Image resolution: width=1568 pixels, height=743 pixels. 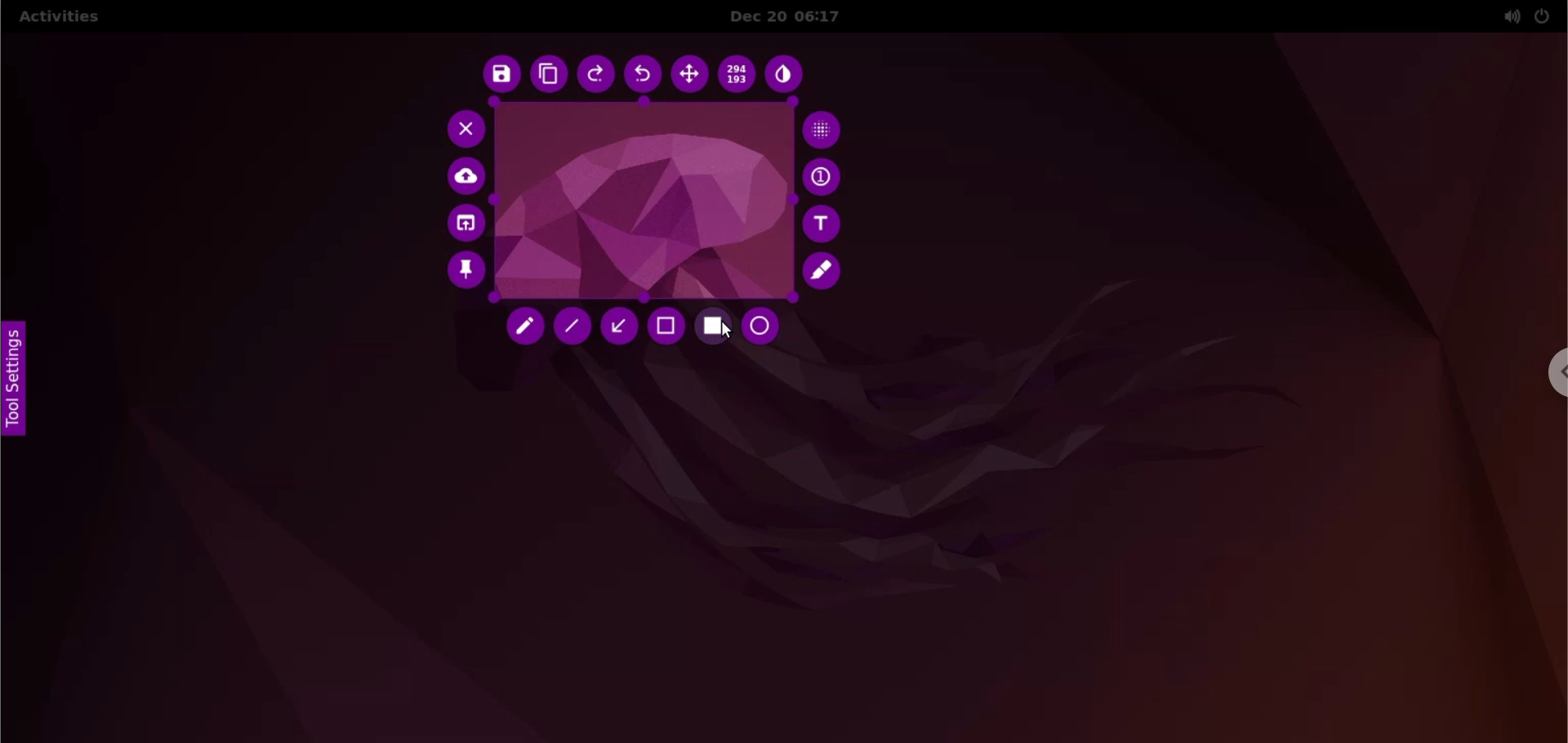 I want to click on rectangle tool, so click(x=714, y=328).